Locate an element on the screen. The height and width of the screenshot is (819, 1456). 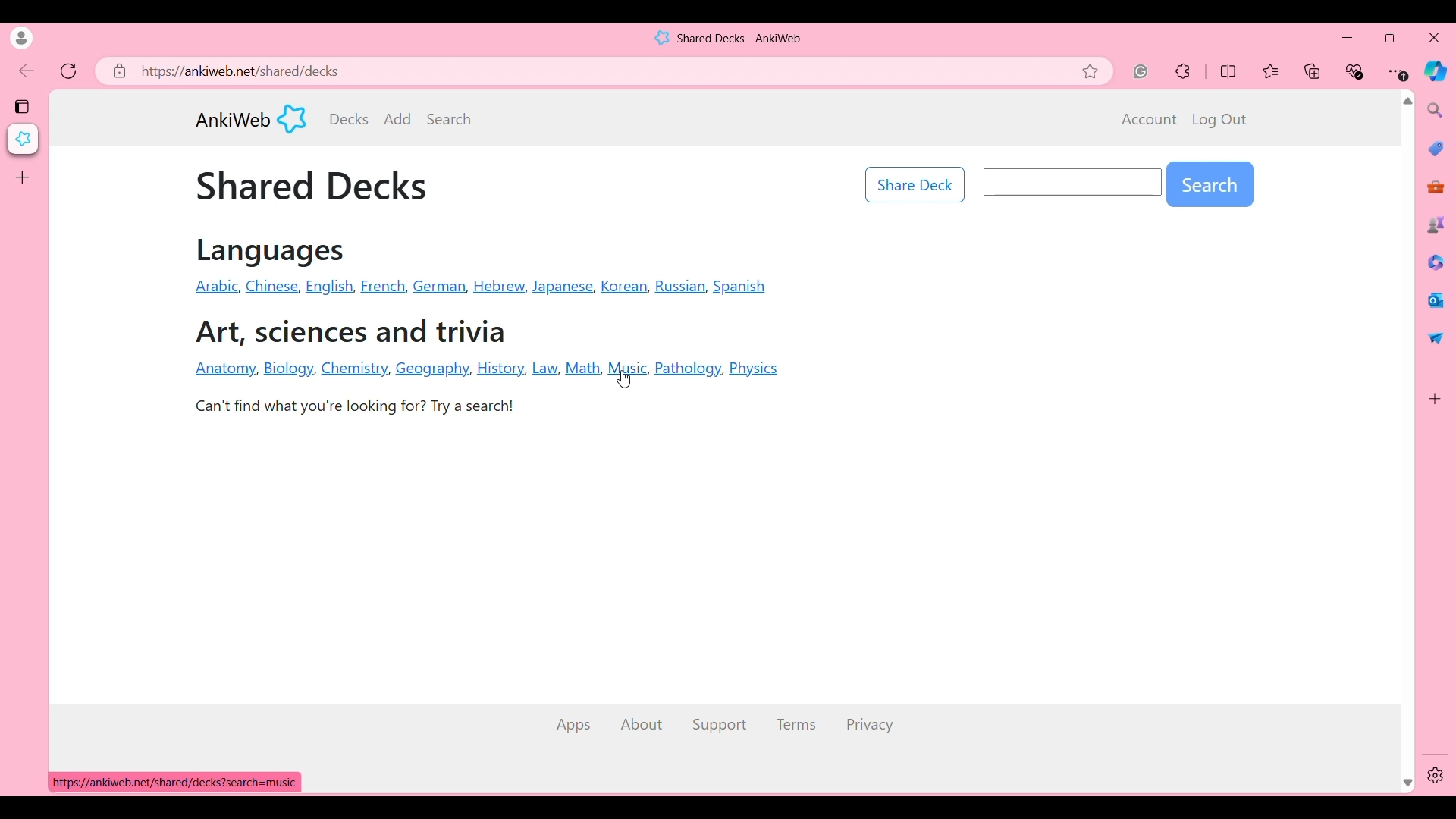
Browser settings is located at coordinates (1398, 71).